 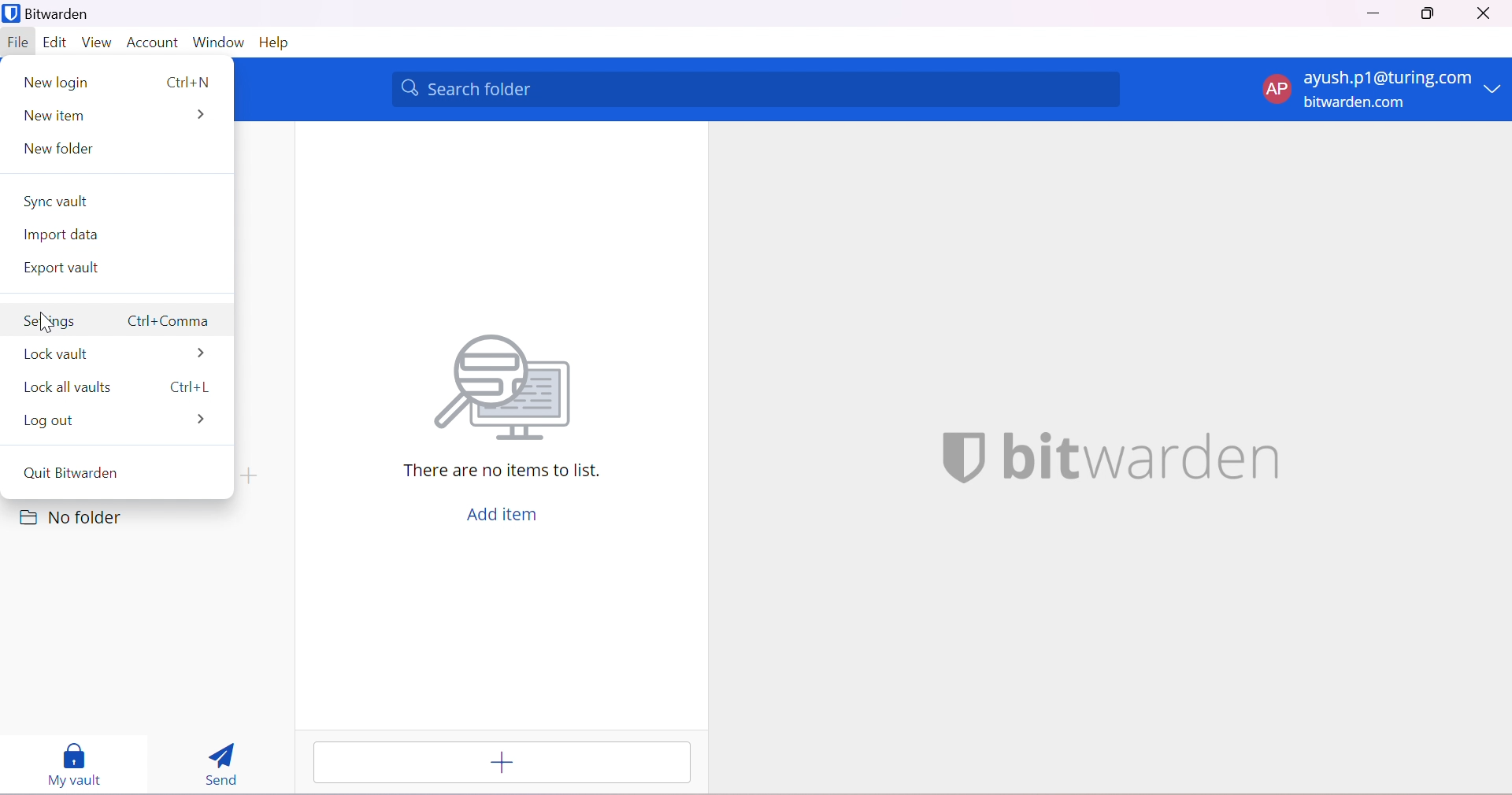 I want to click on Settings, so click(x=50, y=324).